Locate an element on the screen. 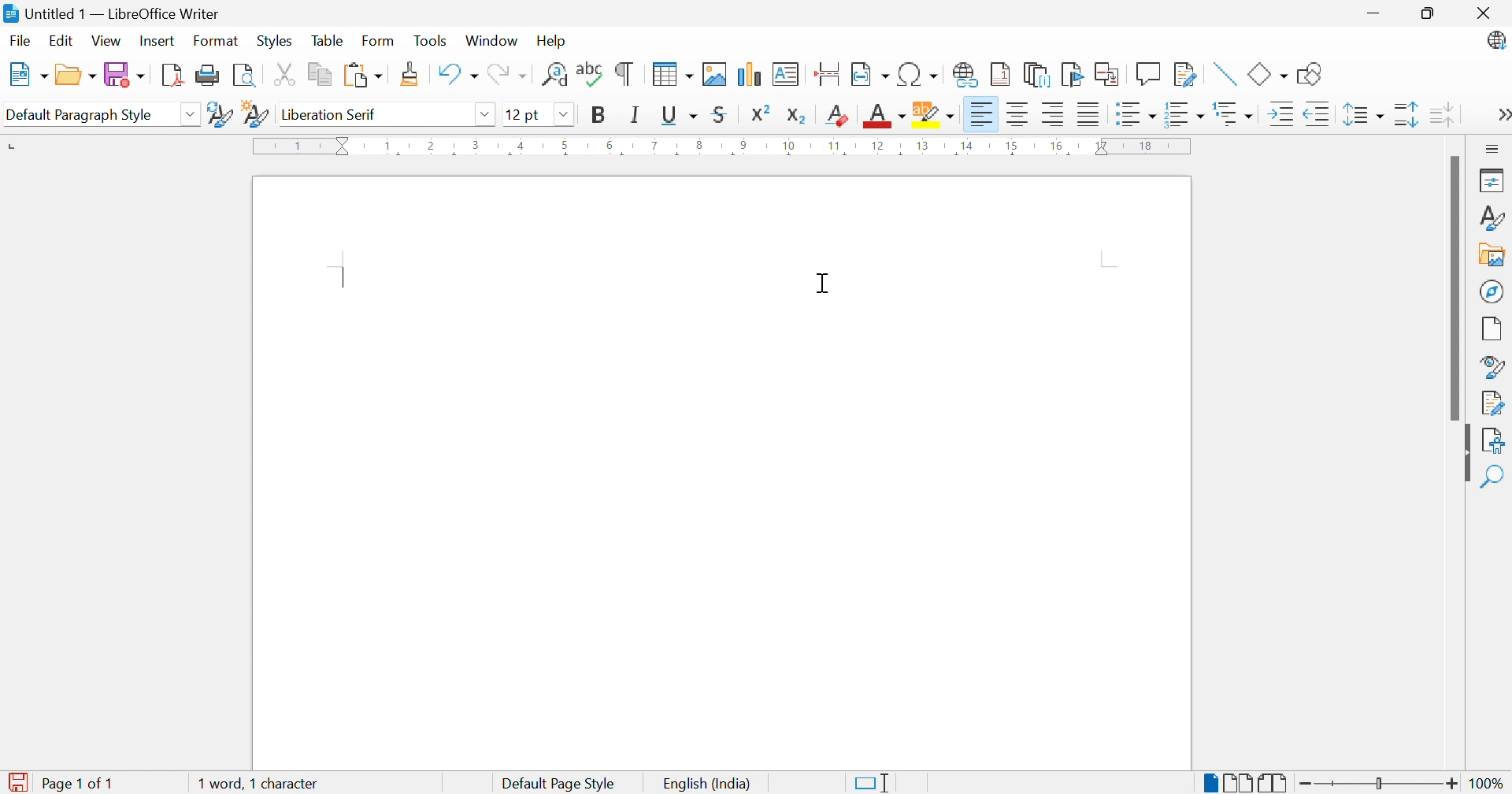 The image size is (1512, 794). Restore Down is located at coordinates (1429, 11).